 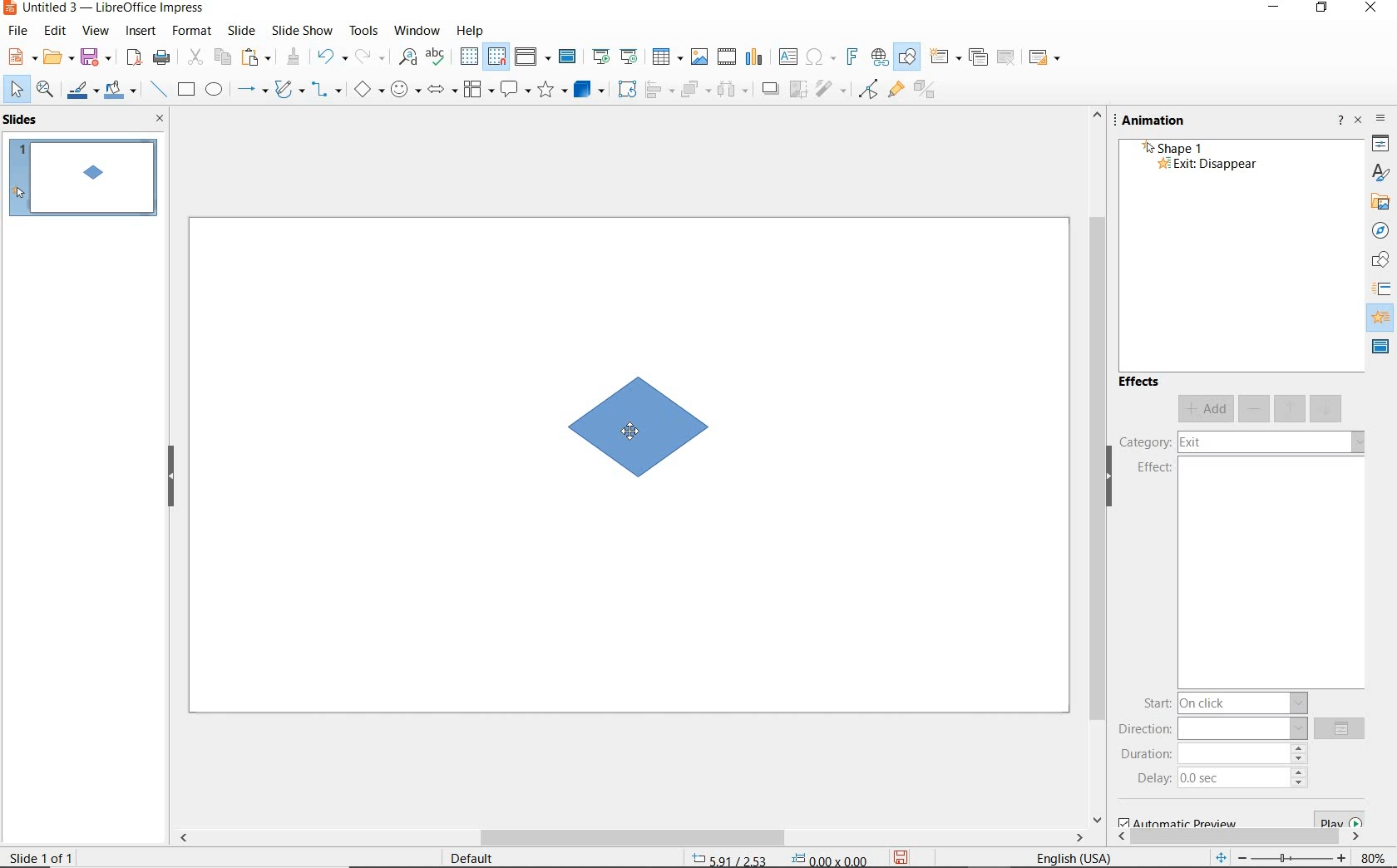 What do you see at coordinates (141, 32) in the screenshot?
I see `insert` at bounding box center [141, 32].